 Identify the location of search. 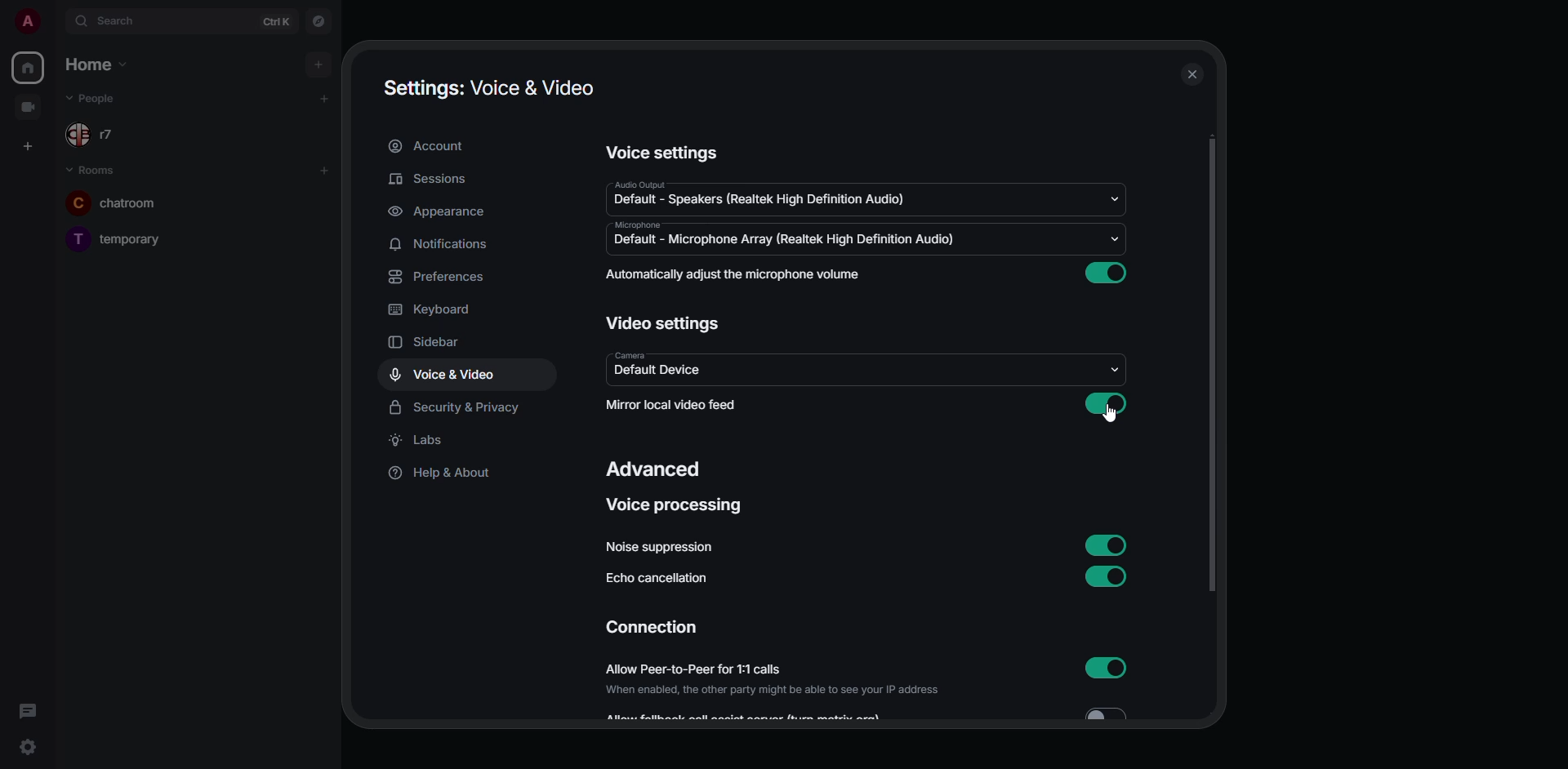
(124, 21).